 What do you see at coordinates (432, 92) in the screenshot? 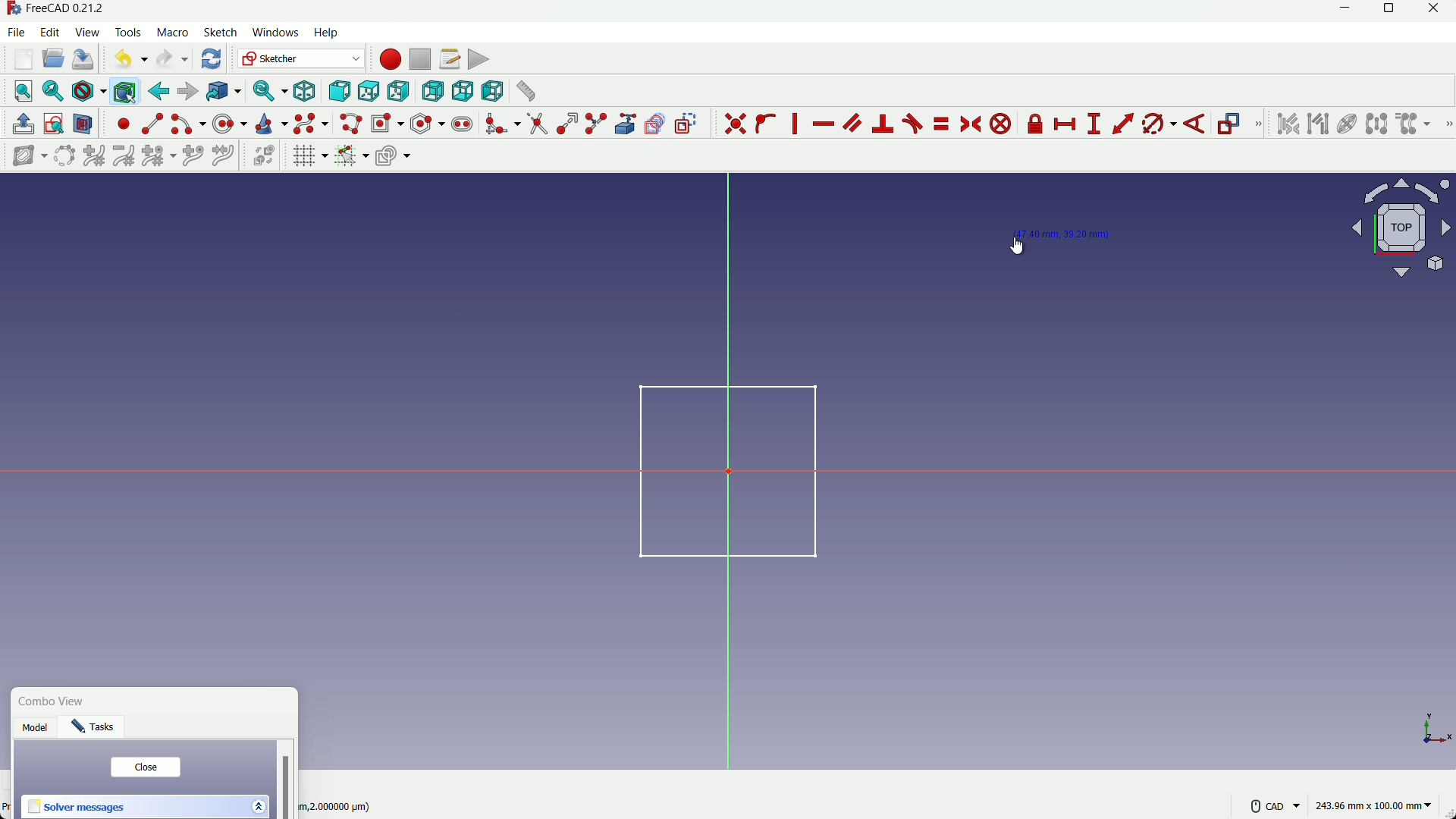
I see `back view` at bounding box center [432, 92].